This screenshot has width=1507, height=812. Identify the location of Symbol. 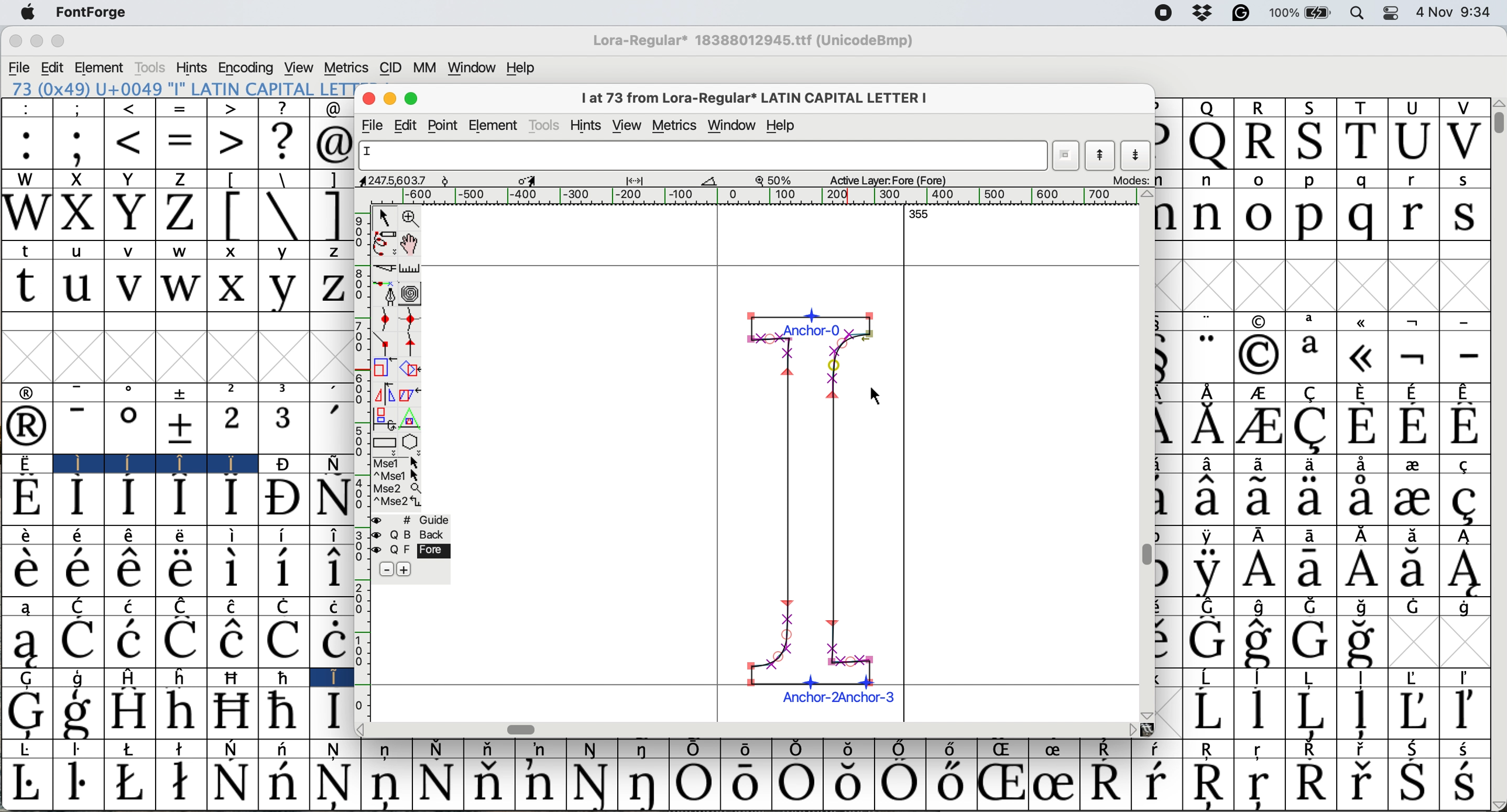
(1258, 355).